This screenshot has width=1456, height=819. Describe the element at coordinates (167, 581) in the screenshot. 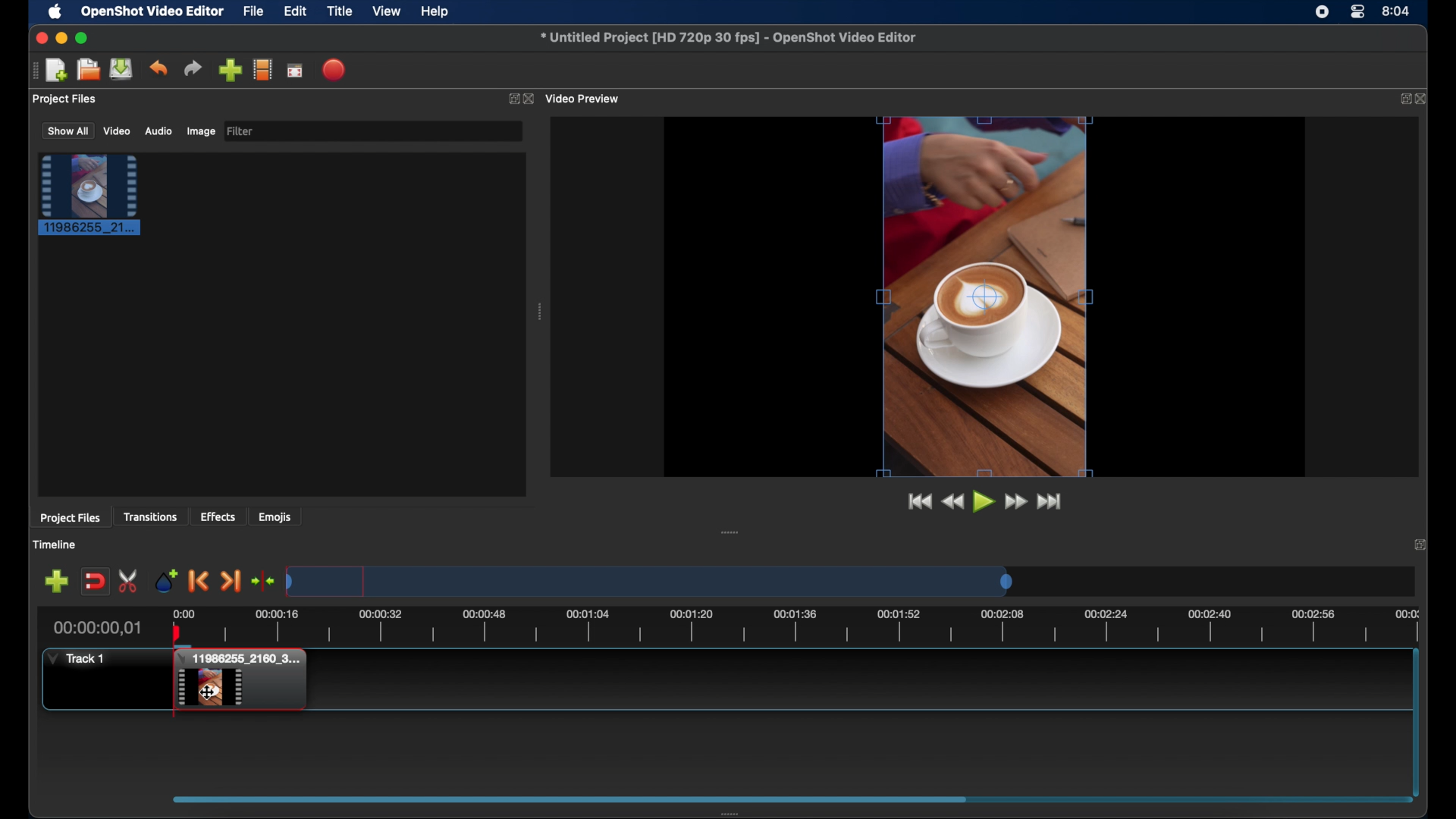

I see `add marker` at that location.